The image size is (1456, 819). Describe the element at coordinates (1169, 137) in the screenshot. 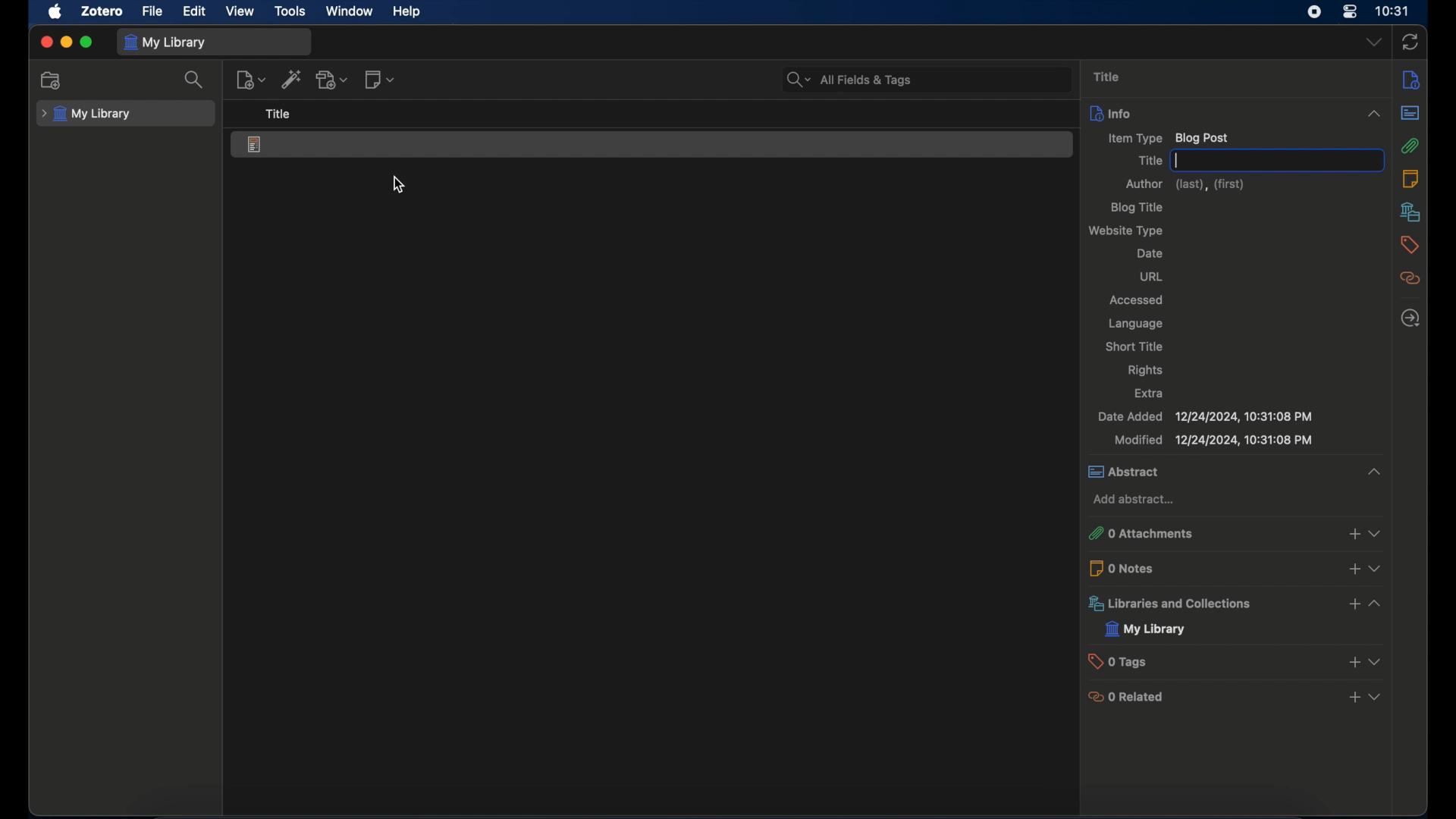

I see `item type` at that location.